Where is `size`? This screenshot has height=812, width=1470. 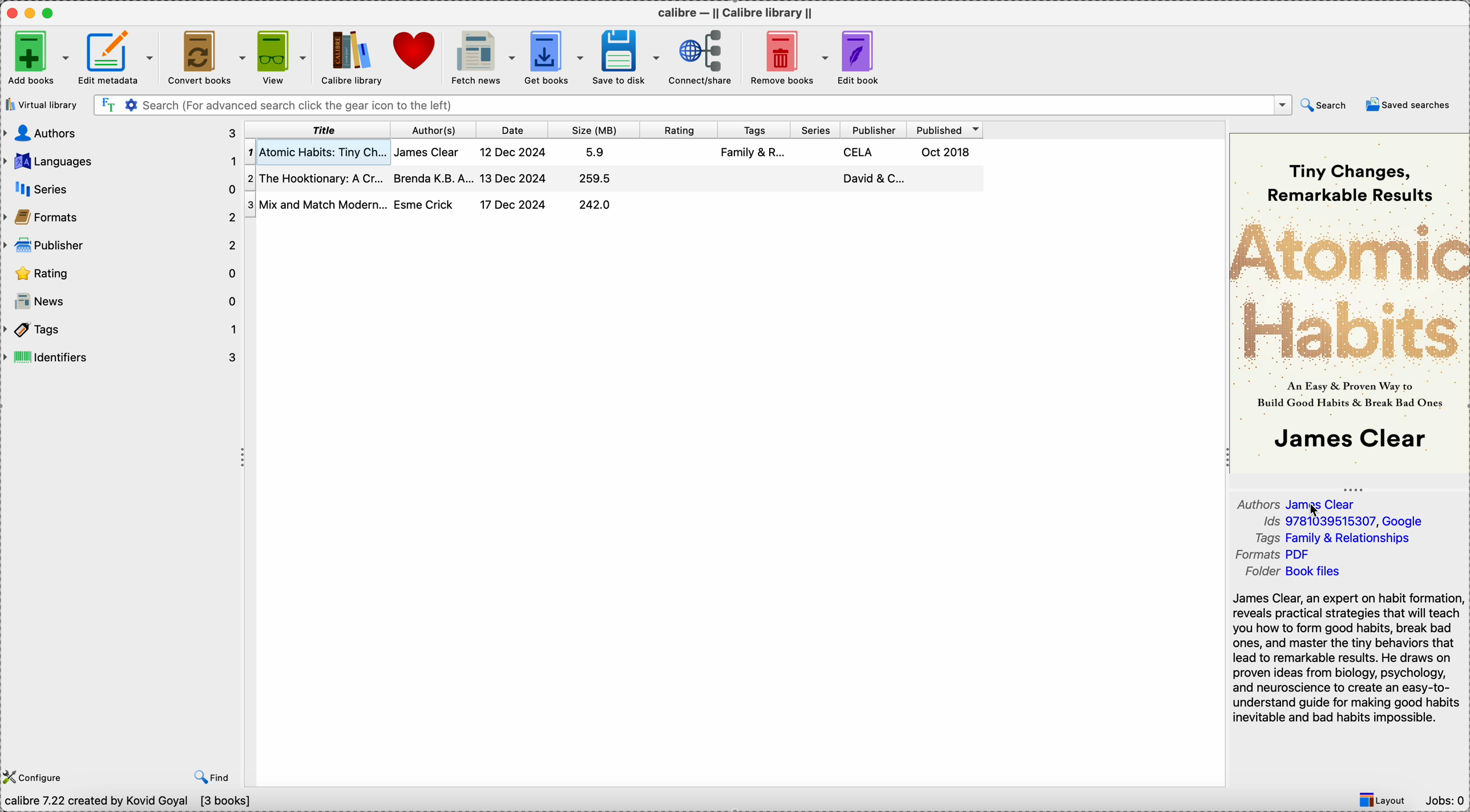 size is located at coordinates (601, 128).